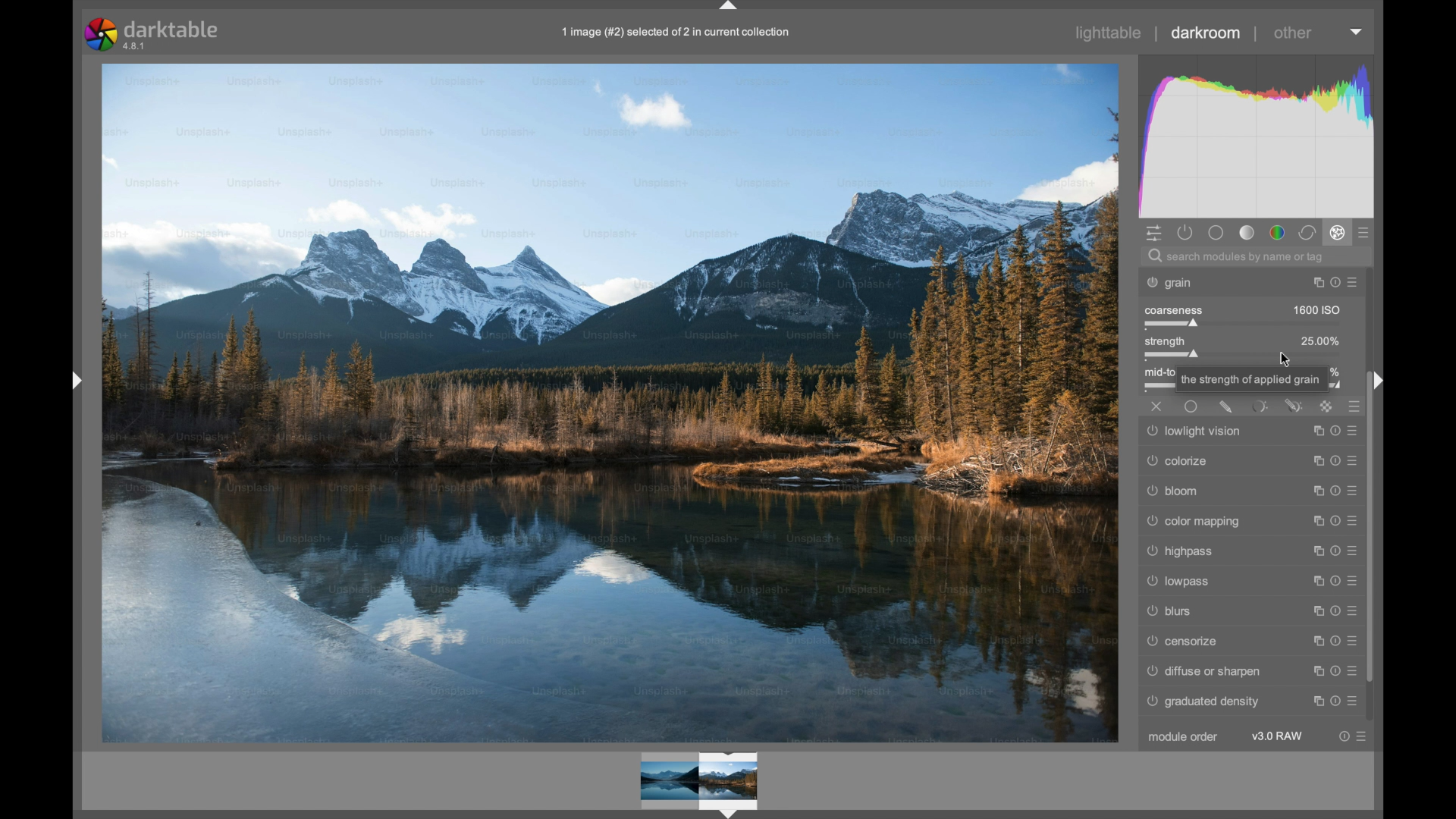  What do you see at coordinates (1313, 552) in the screenshot?
I see `instance` at bounding box center [1313, 552].